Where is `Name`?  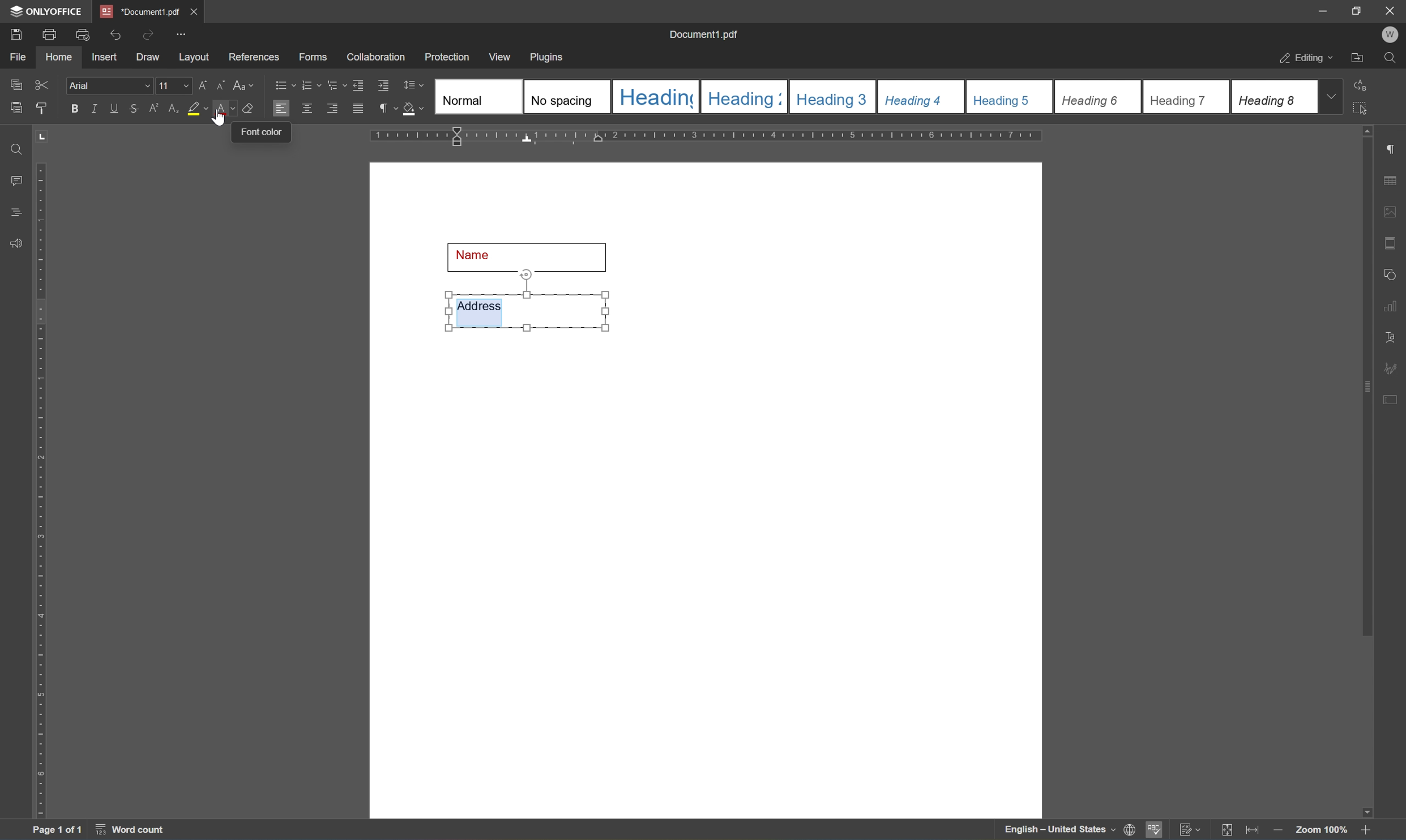 Name is located at coordinates (529, 254).